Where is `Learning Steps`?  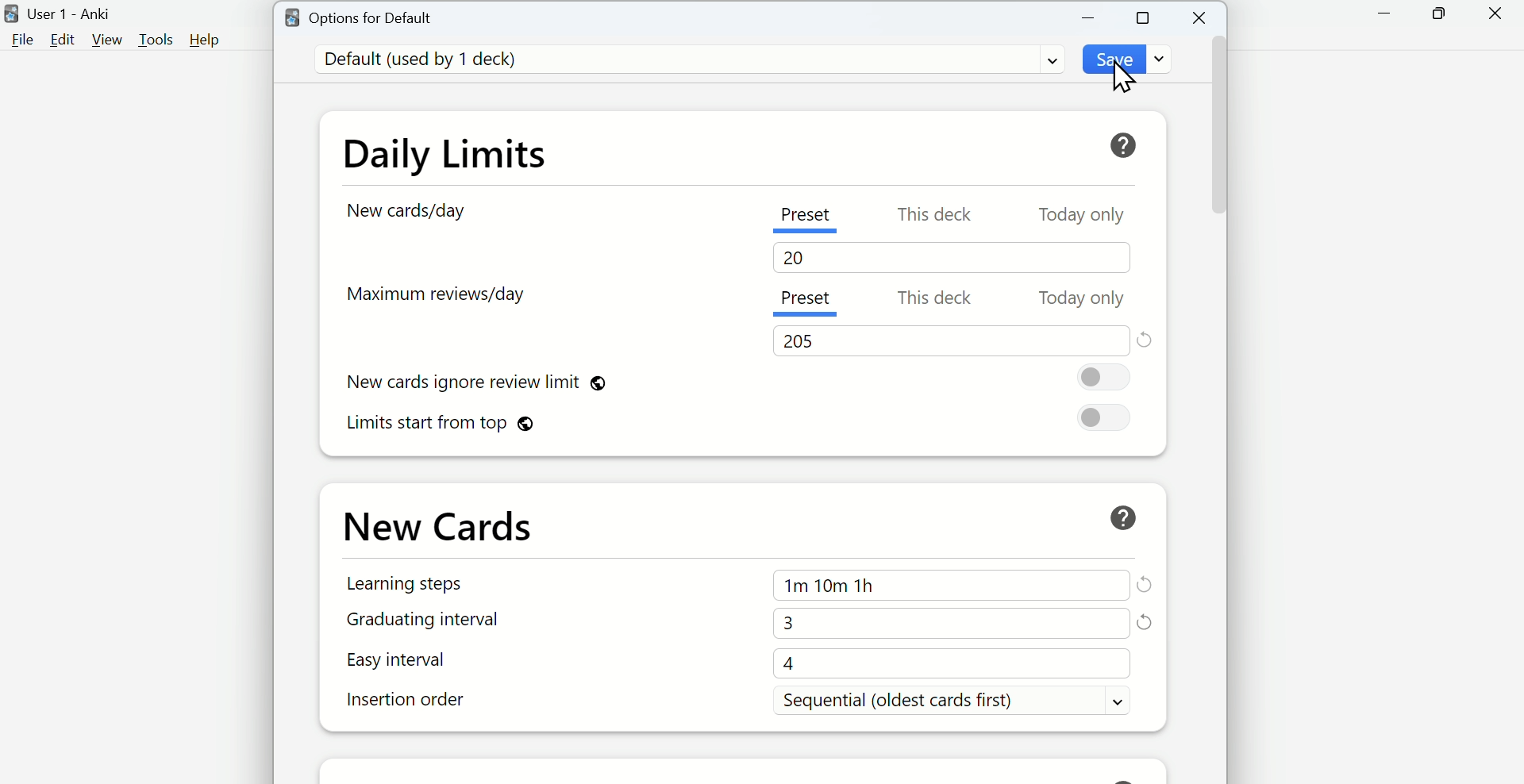
Learning Steps is located at coordinates (407, 587).